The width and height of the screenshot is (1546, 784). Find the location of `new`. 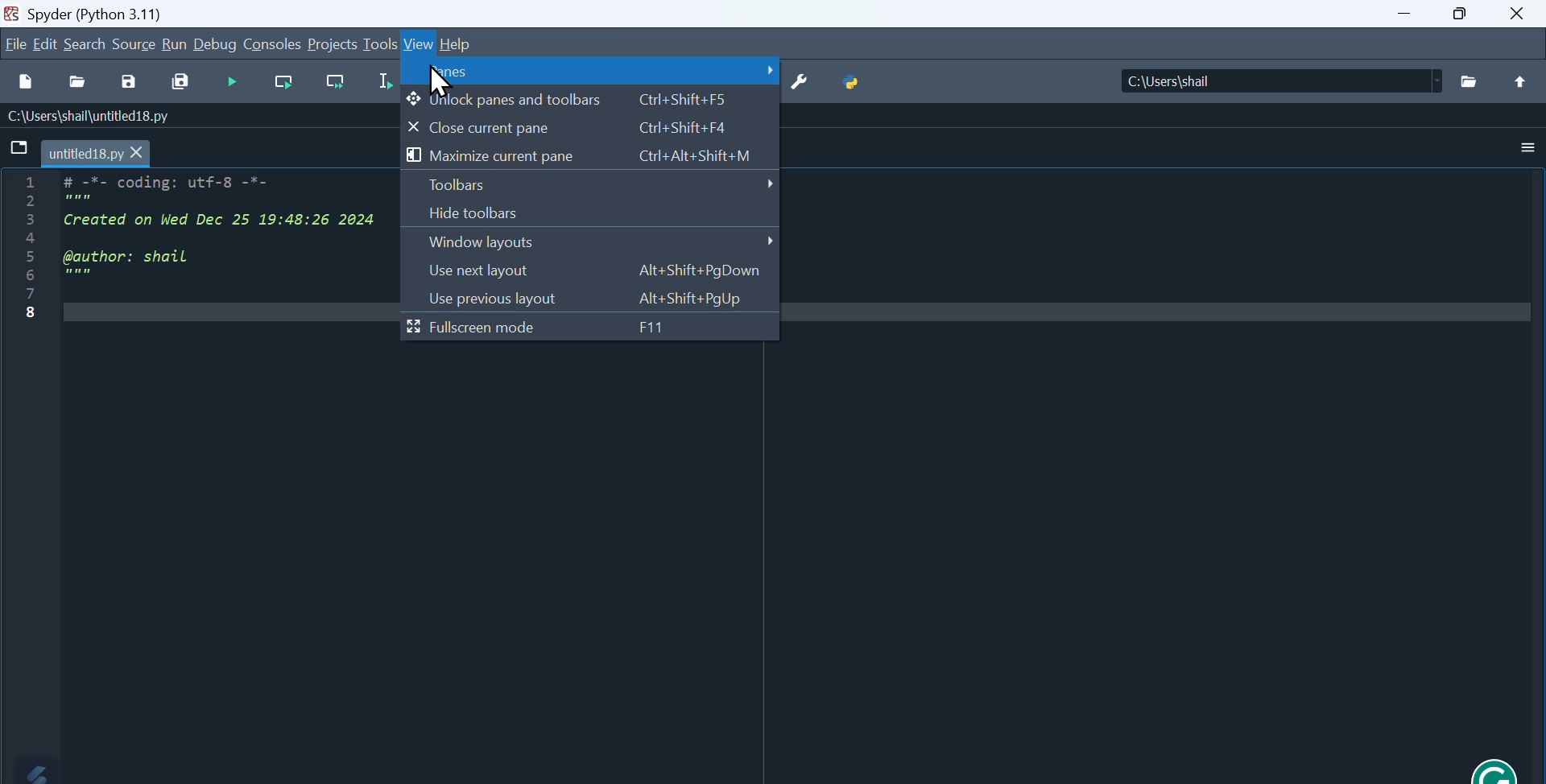

new is located at coordinates (23, 78).